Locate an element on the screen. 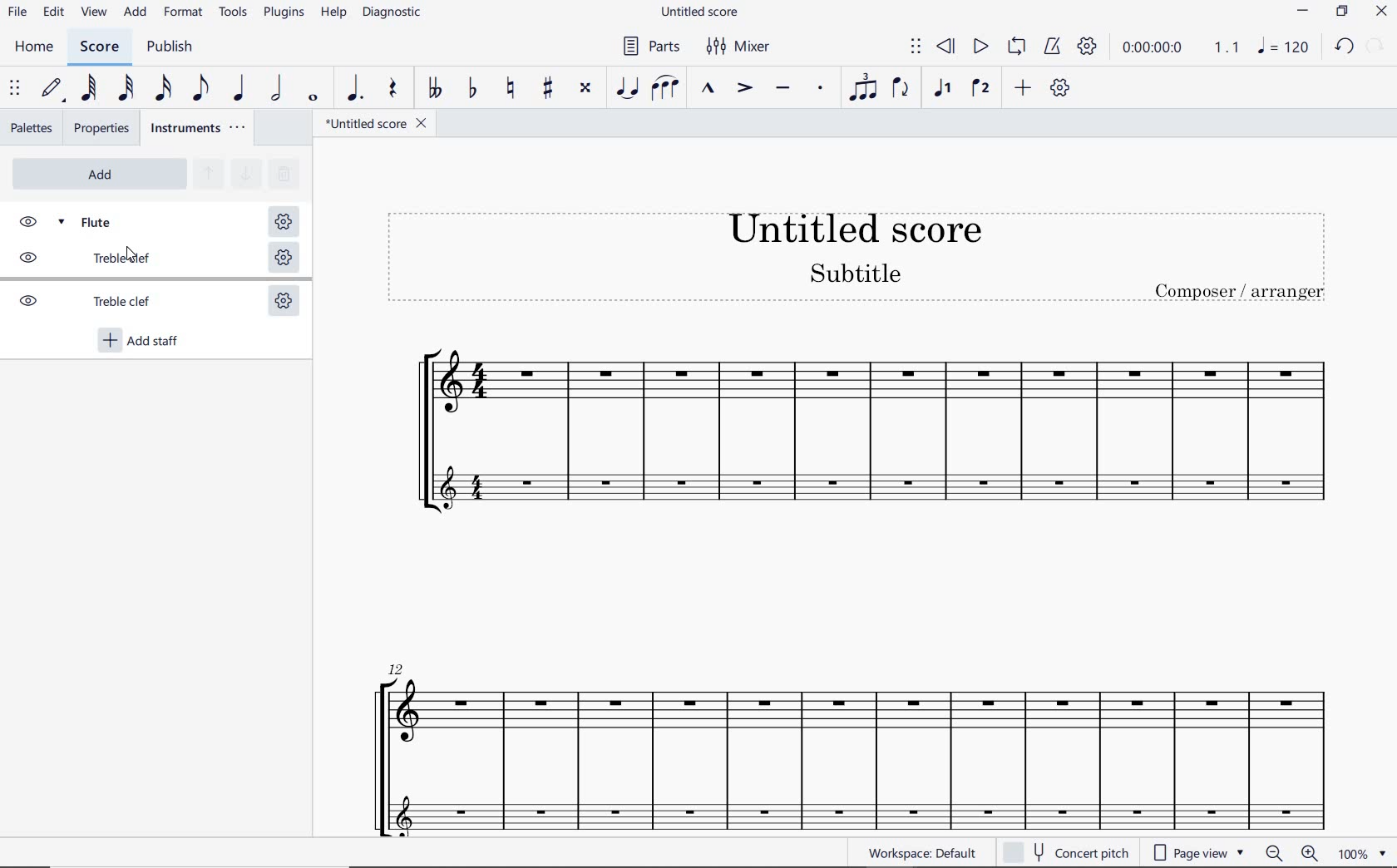  INSTRUMENTS is located at coordinates (200, 129).